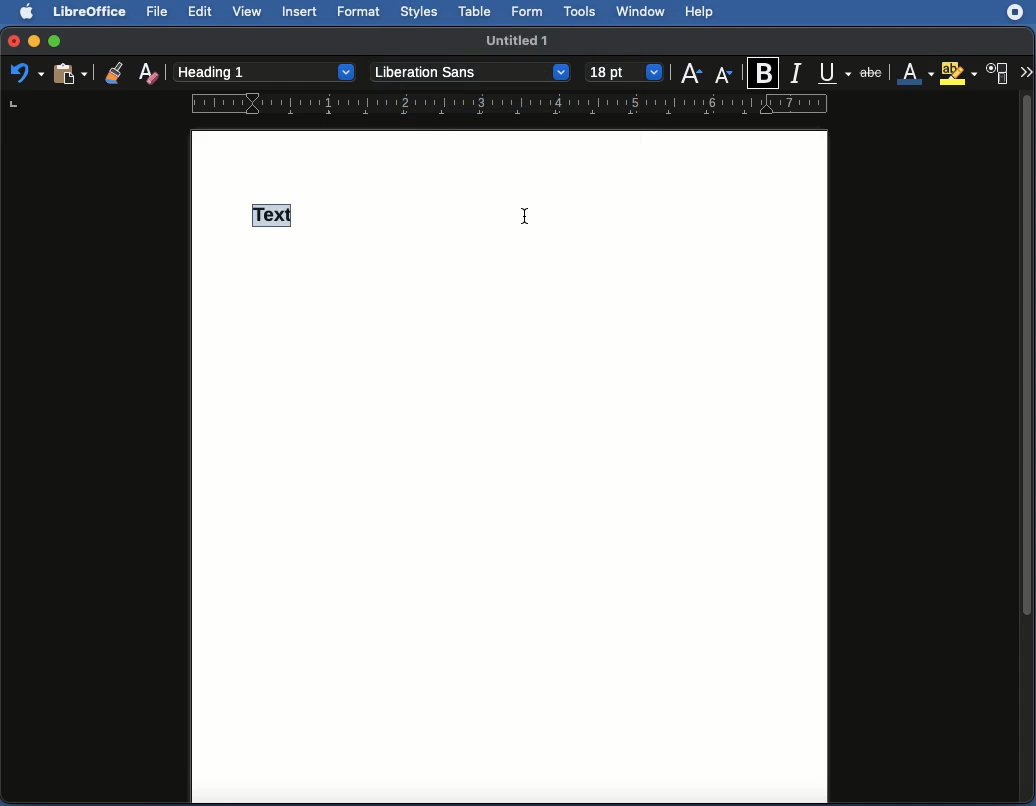 This screenshot has width=1036, height=806. What do you see at coordinates (476, 12) in the screenshot?
I see `Table` at bounding box center [476, 12].